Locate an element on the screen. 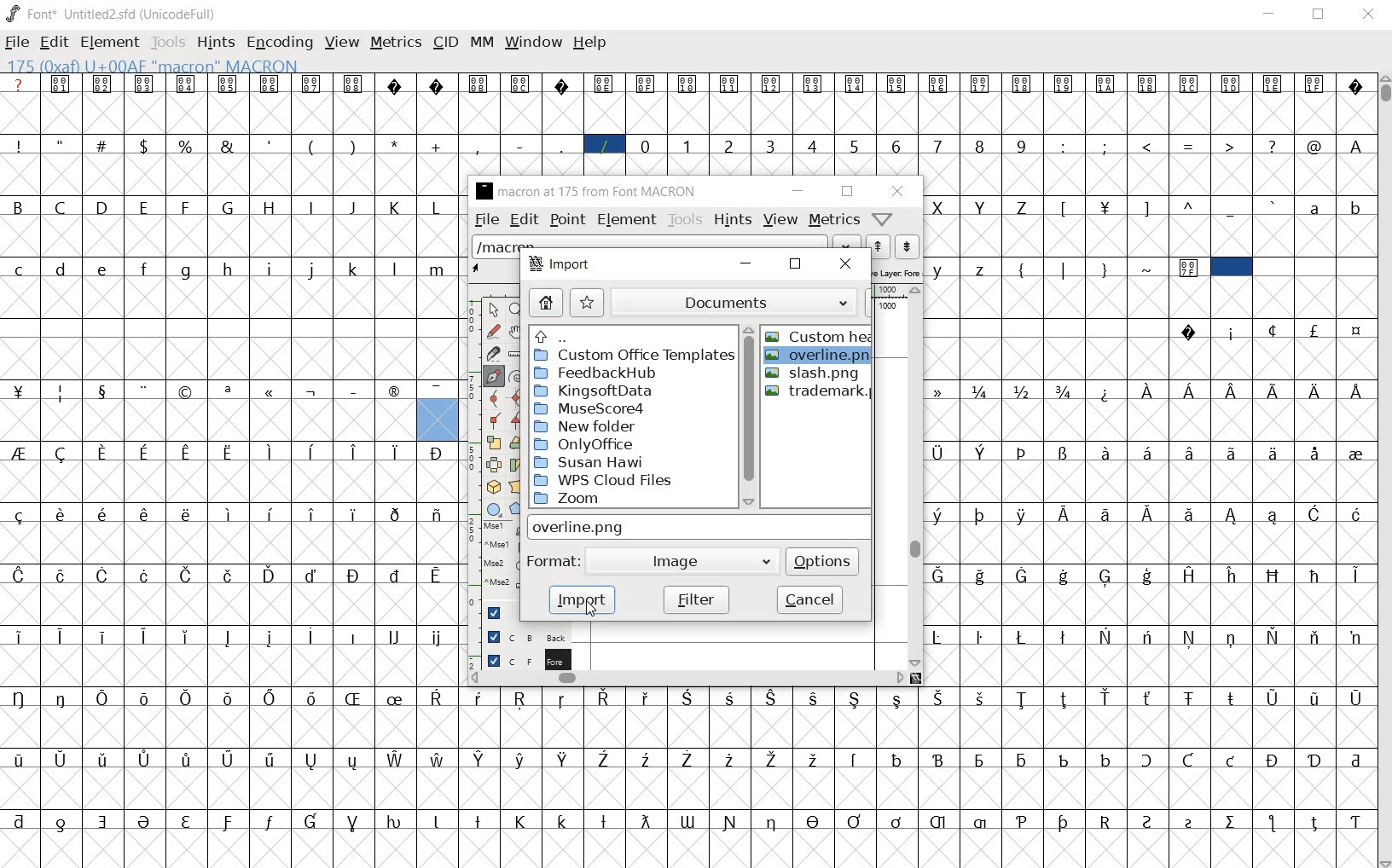 The image size is (1392, 868). - is located at coordinates (519, 145).